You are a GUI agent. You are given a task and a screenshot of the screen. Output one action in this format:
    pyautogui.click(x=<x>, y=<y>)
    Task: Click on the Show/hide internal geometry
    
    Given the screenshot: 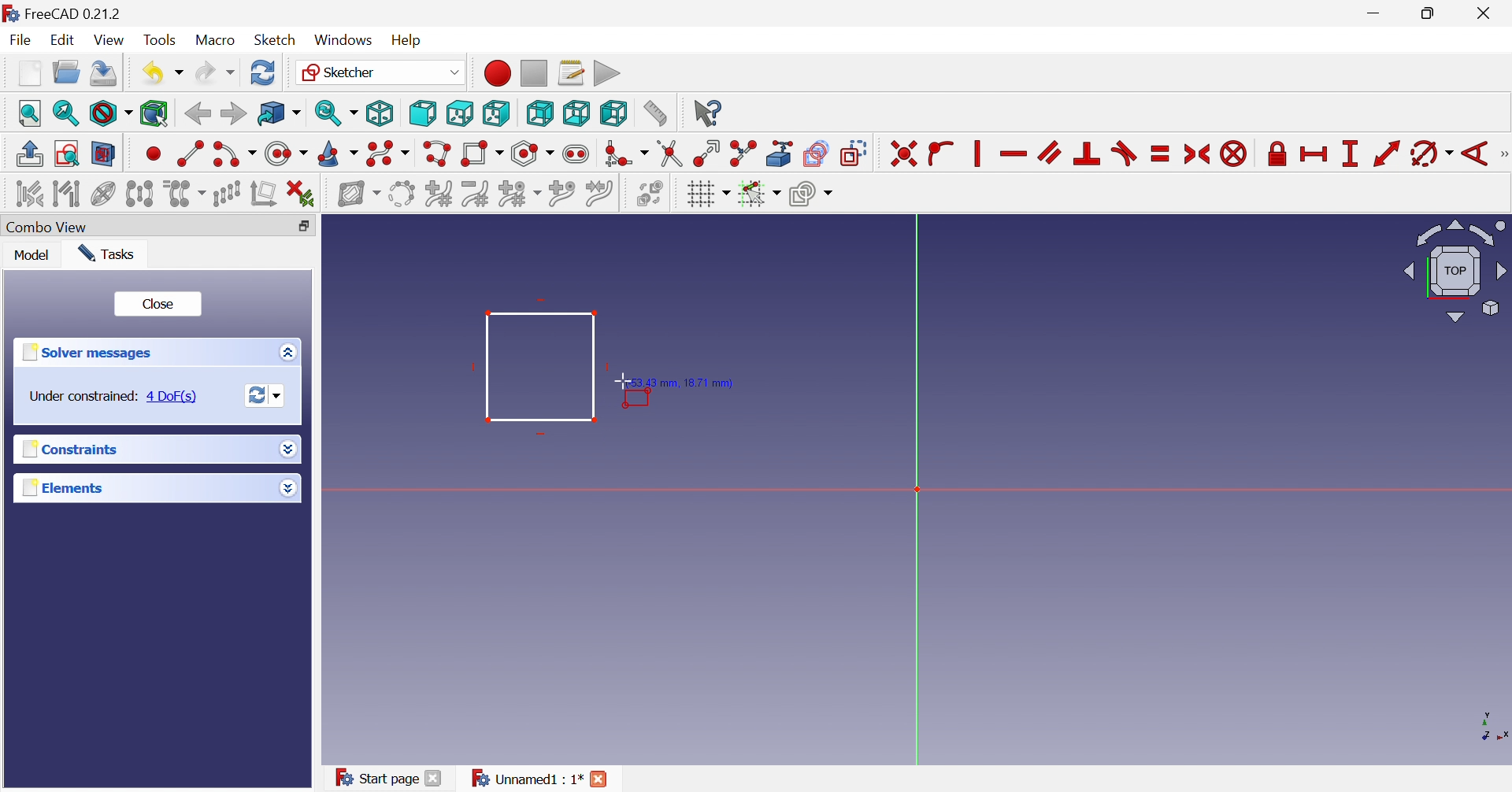 What is the action you would take?
    pyautogui.click(x=102, y=195)
    